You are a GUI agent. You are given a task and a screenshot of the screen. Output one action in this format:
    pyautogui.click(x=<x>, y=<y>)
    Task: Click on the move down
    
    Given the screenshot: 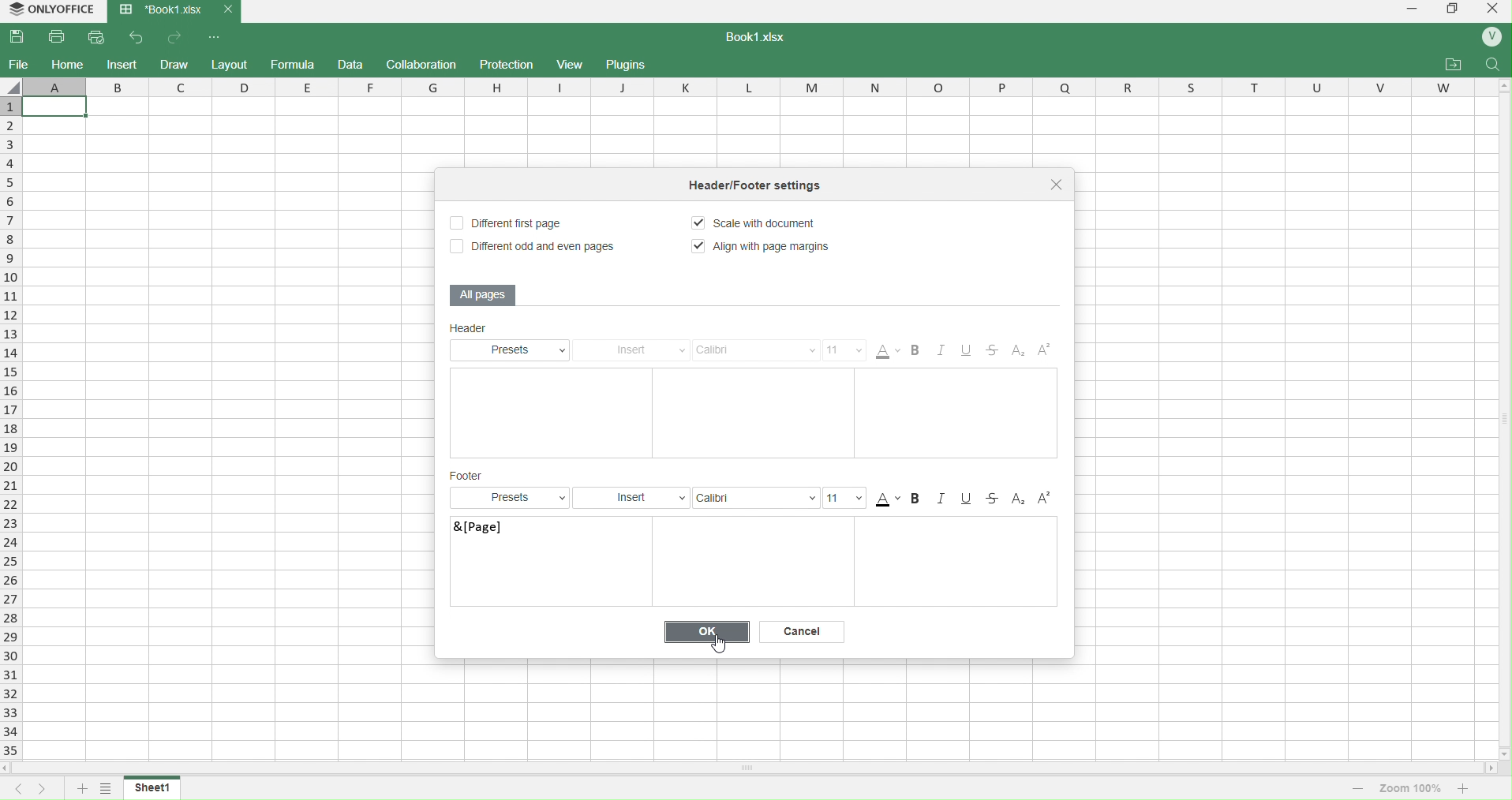 What is the action you would take?
    pyautogui.click(x=1503, y=753)
    